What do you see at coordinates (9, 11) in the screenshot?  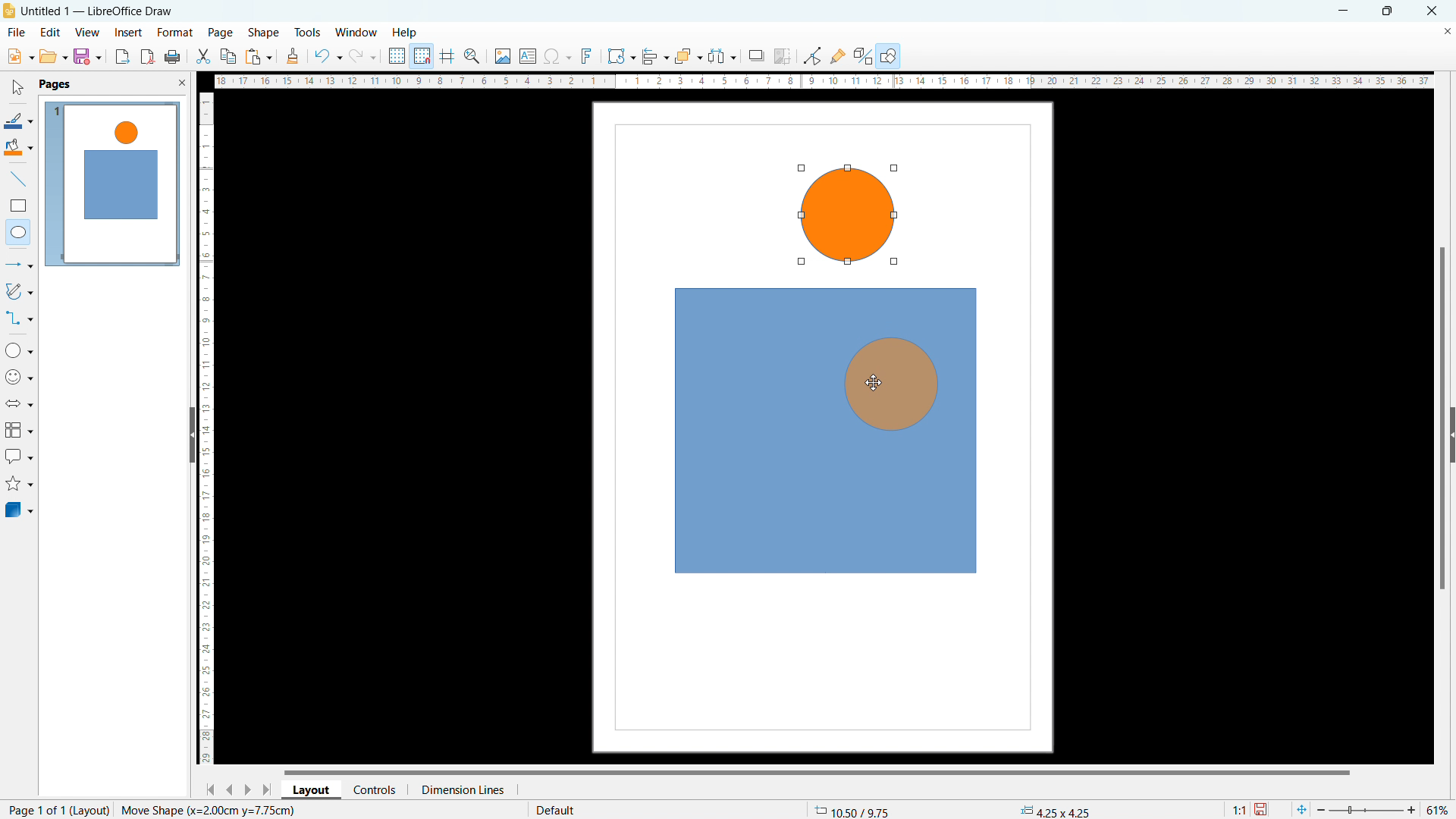 I see `logo` at bounding box center [9, 11].